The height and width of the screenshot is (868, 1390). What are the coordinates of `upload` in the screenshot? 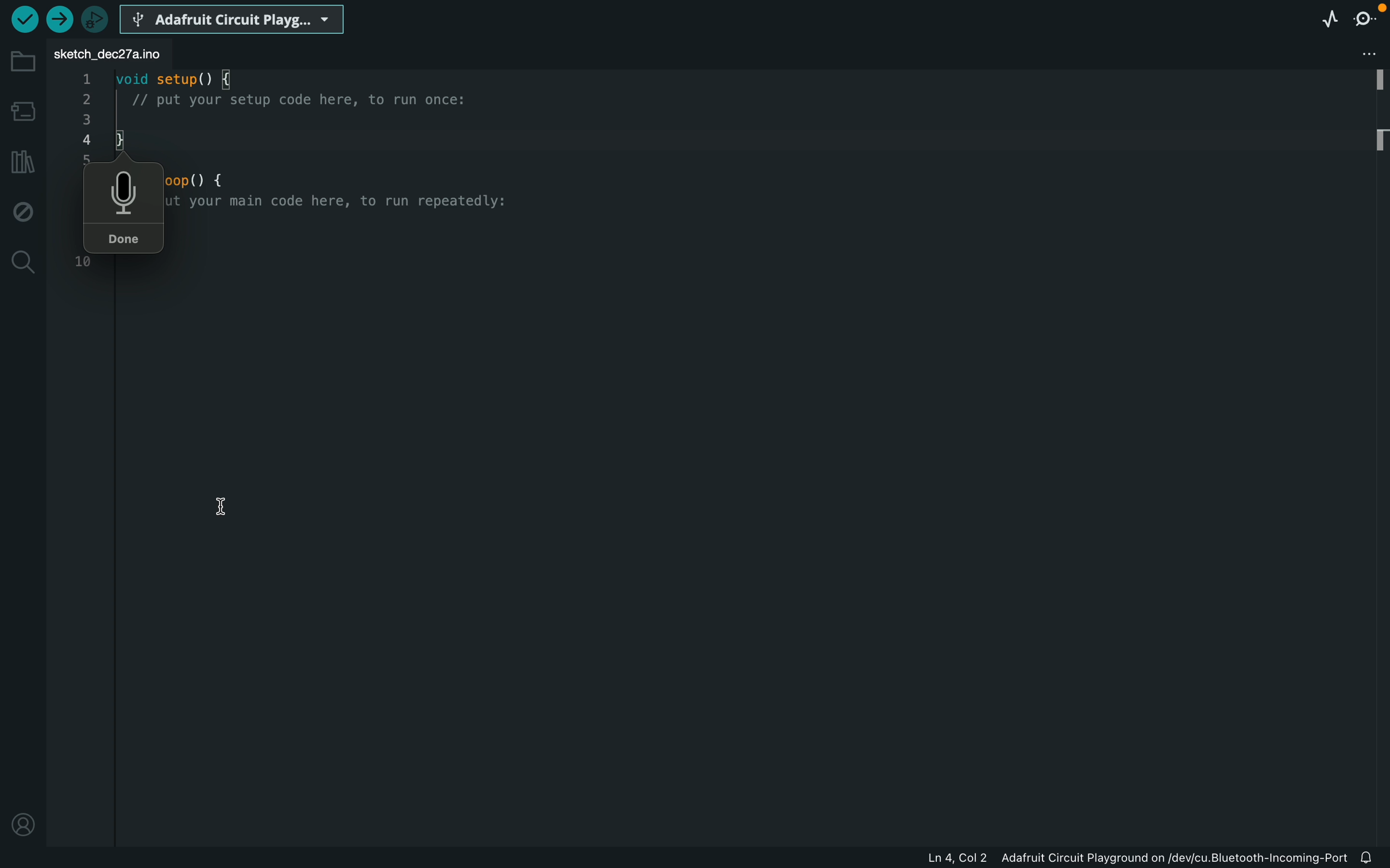 It's located at (22, 20).